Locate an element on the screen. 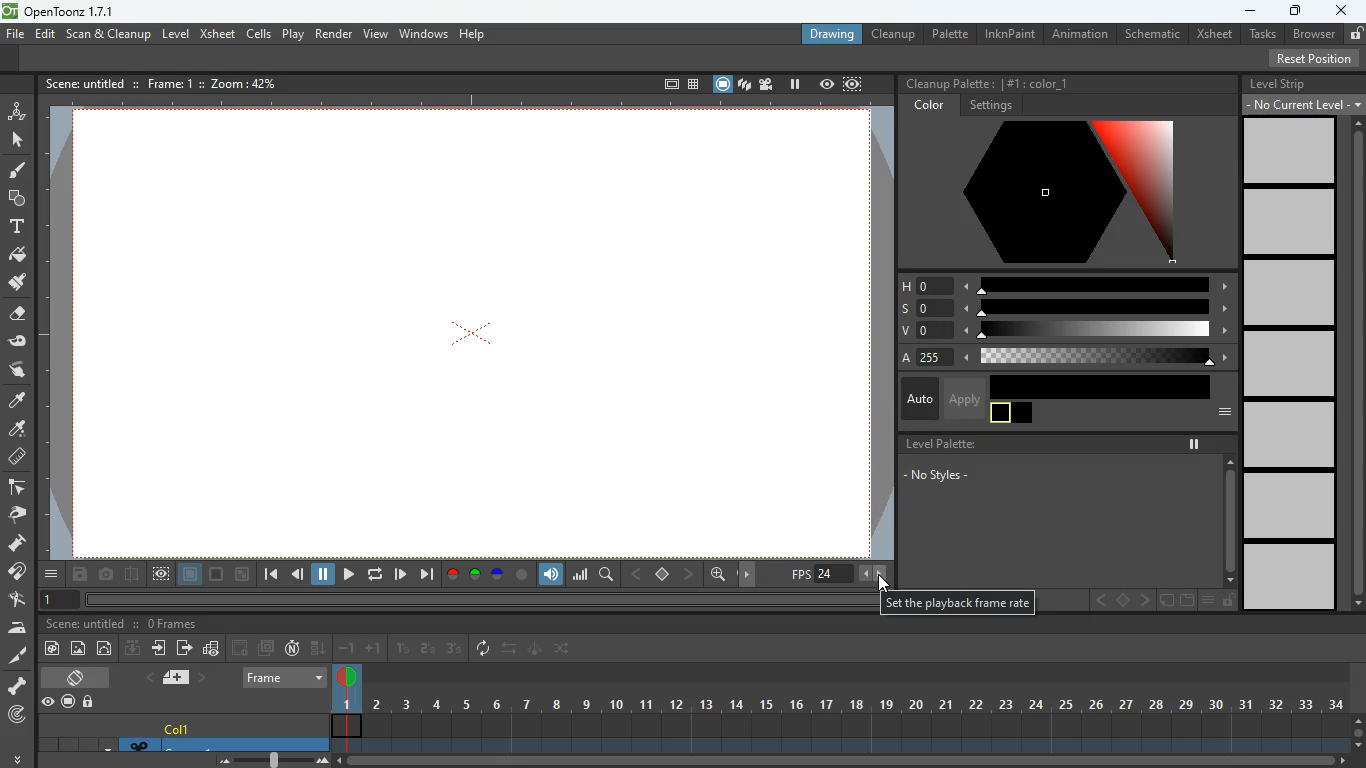  forward is located at coordinates (400, 574).